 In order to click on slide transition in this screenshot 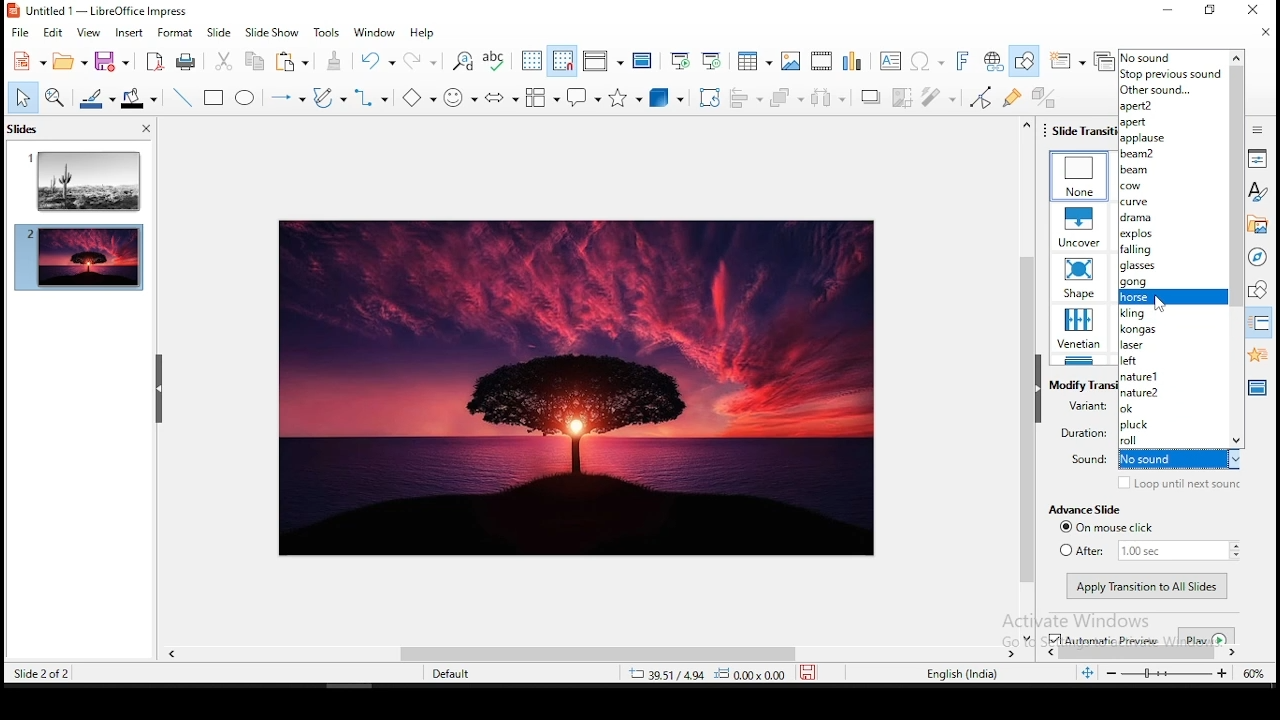, I will do `click(1084, 129)`.